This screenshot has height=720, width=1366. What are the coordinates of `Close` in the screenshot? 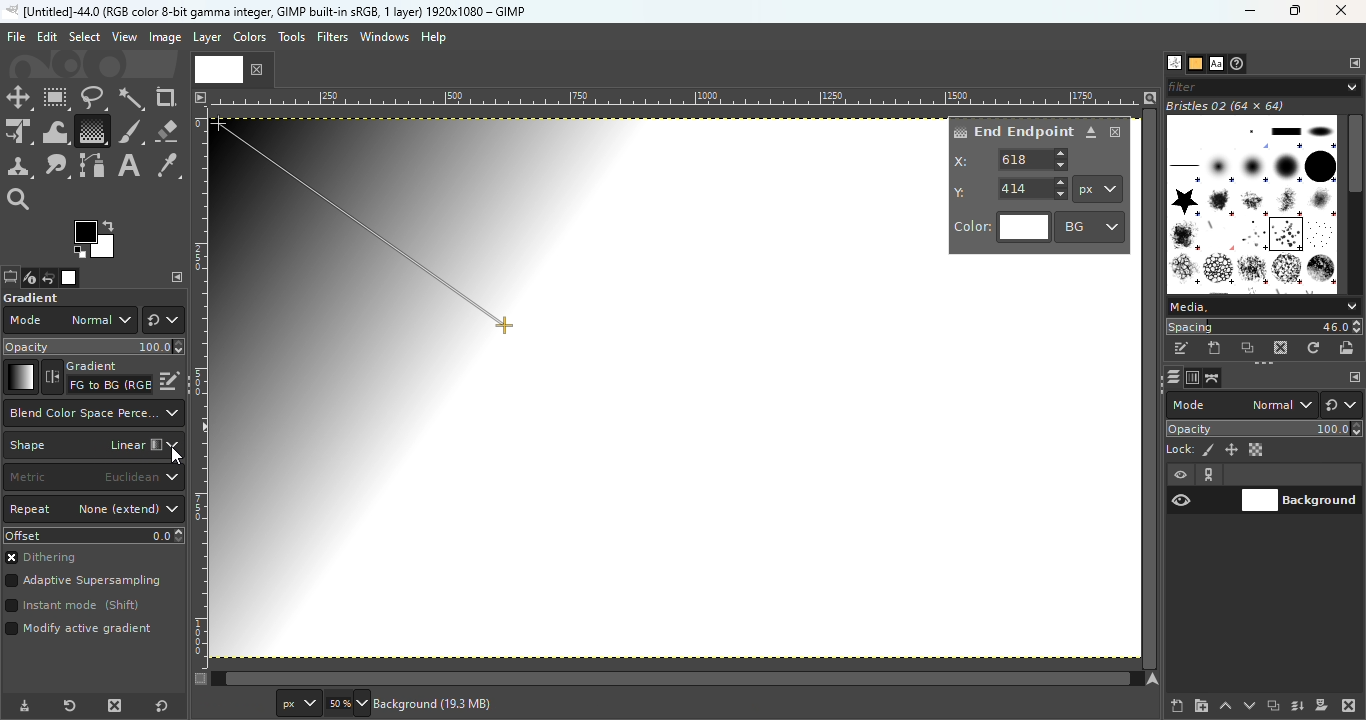 It's located at (1343, 12).